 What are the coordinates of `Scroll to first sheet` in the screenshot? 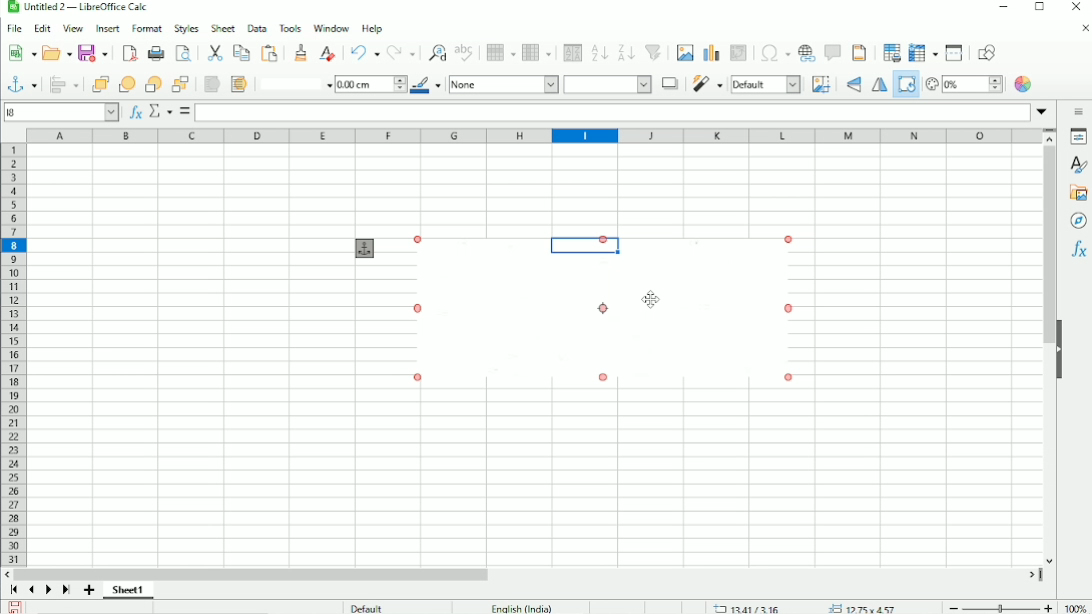 It's located at (13, 591).